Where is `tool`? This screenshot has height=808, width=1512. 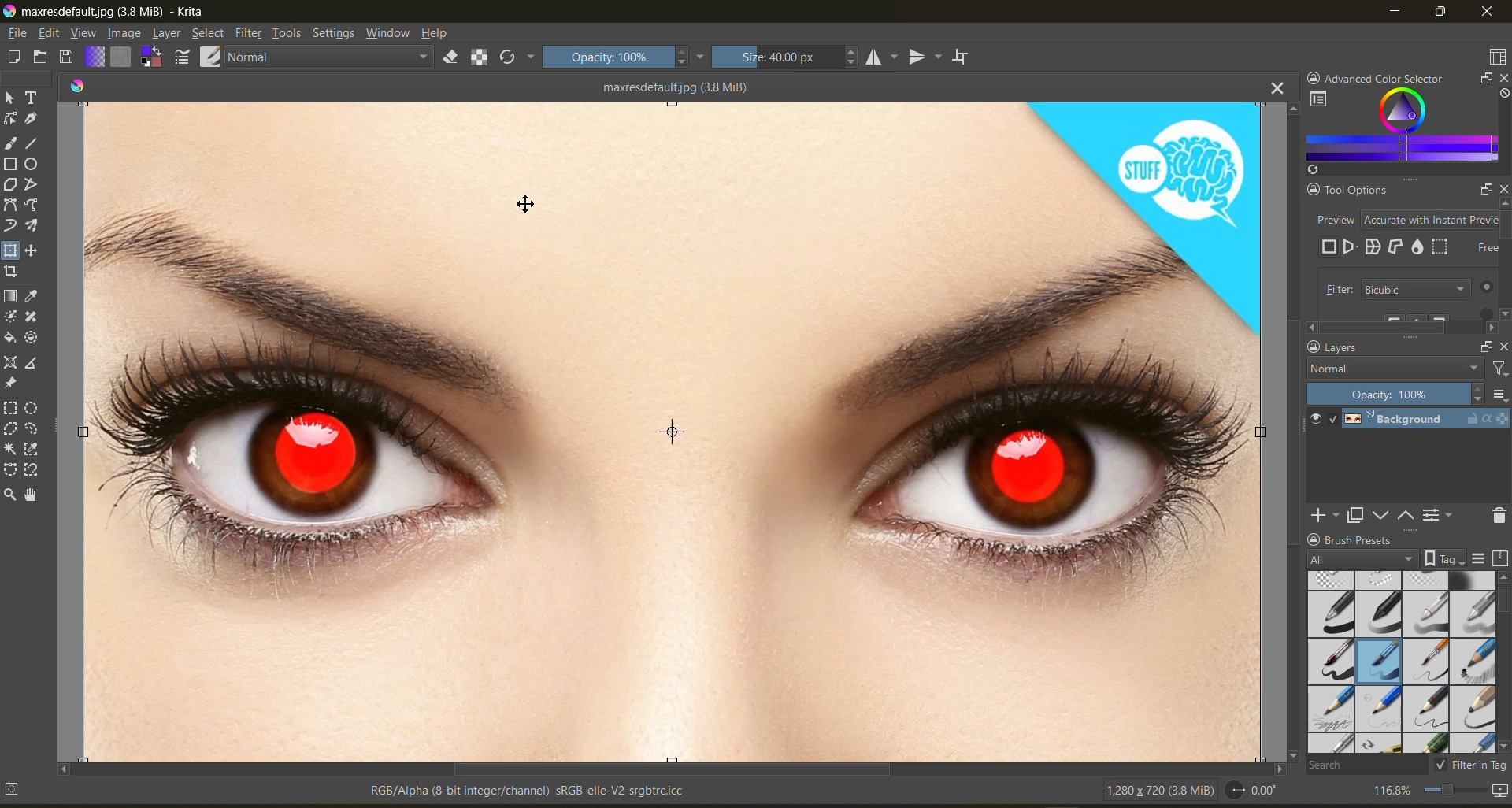
tool is located at coordinates (33, 143).